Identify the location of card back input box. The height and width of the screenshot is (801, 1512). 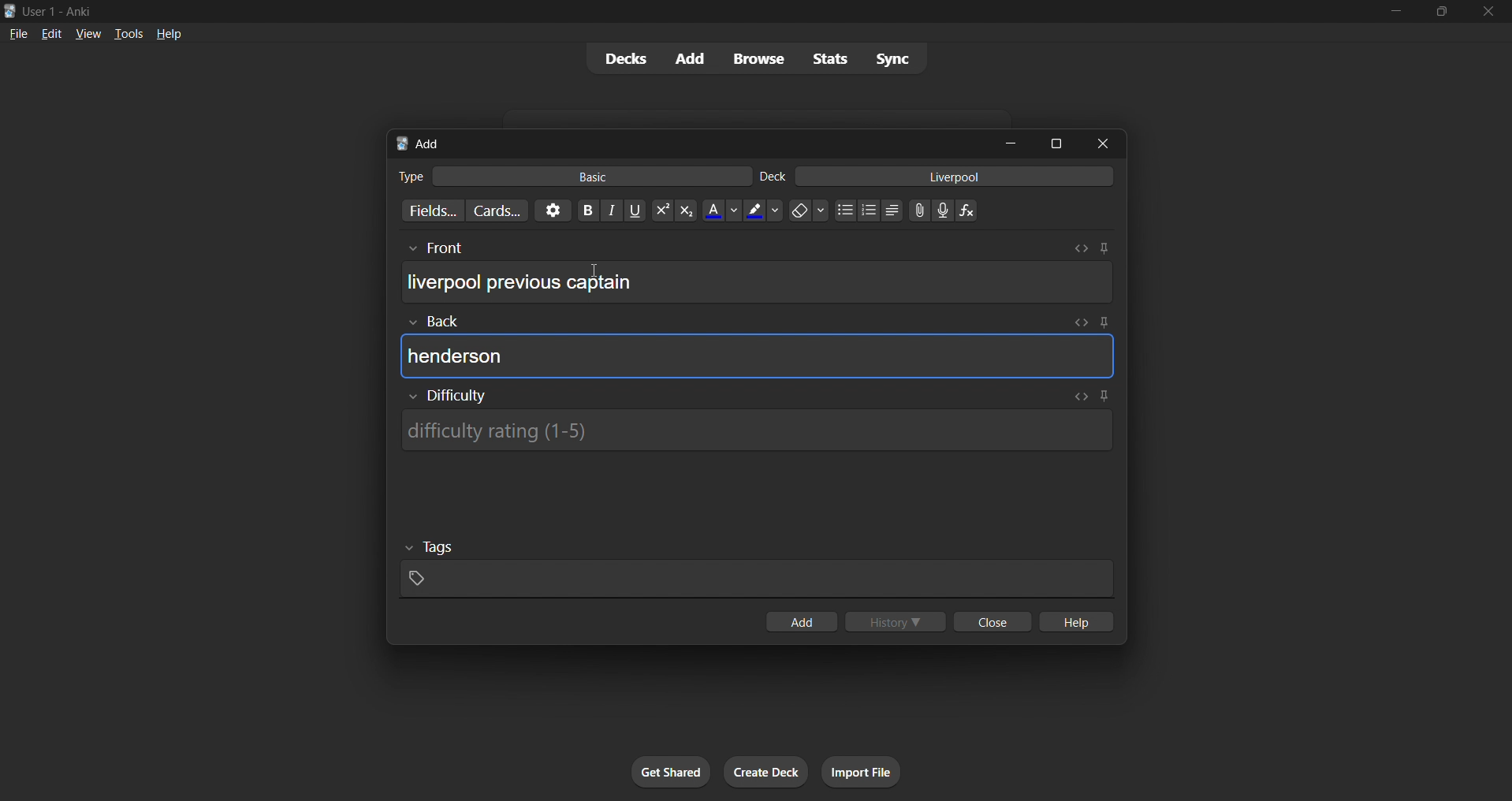
(762, 348).